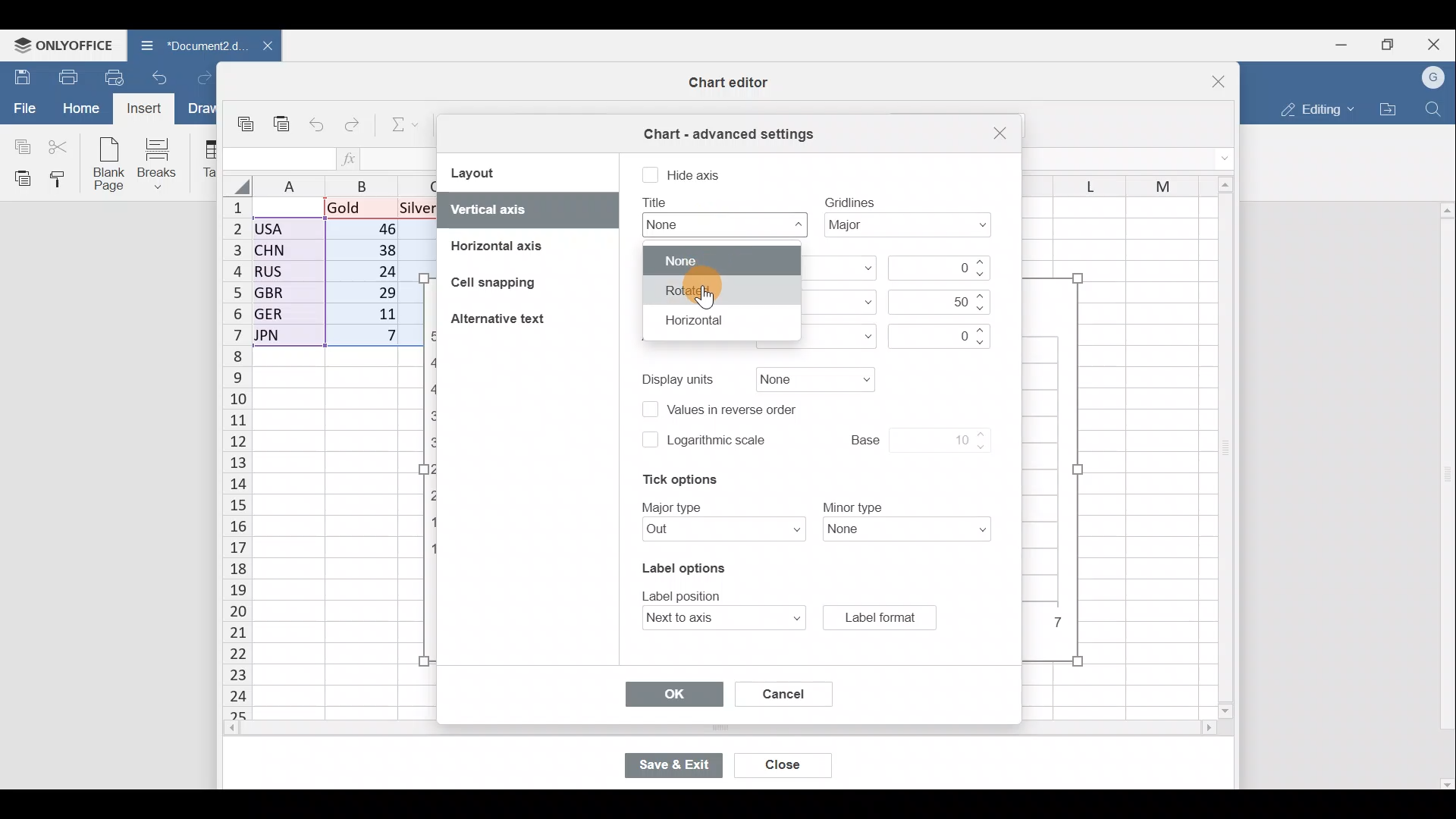 This screenshot has width=1456, height=819. I want to click on Label format, so click(879, 617).